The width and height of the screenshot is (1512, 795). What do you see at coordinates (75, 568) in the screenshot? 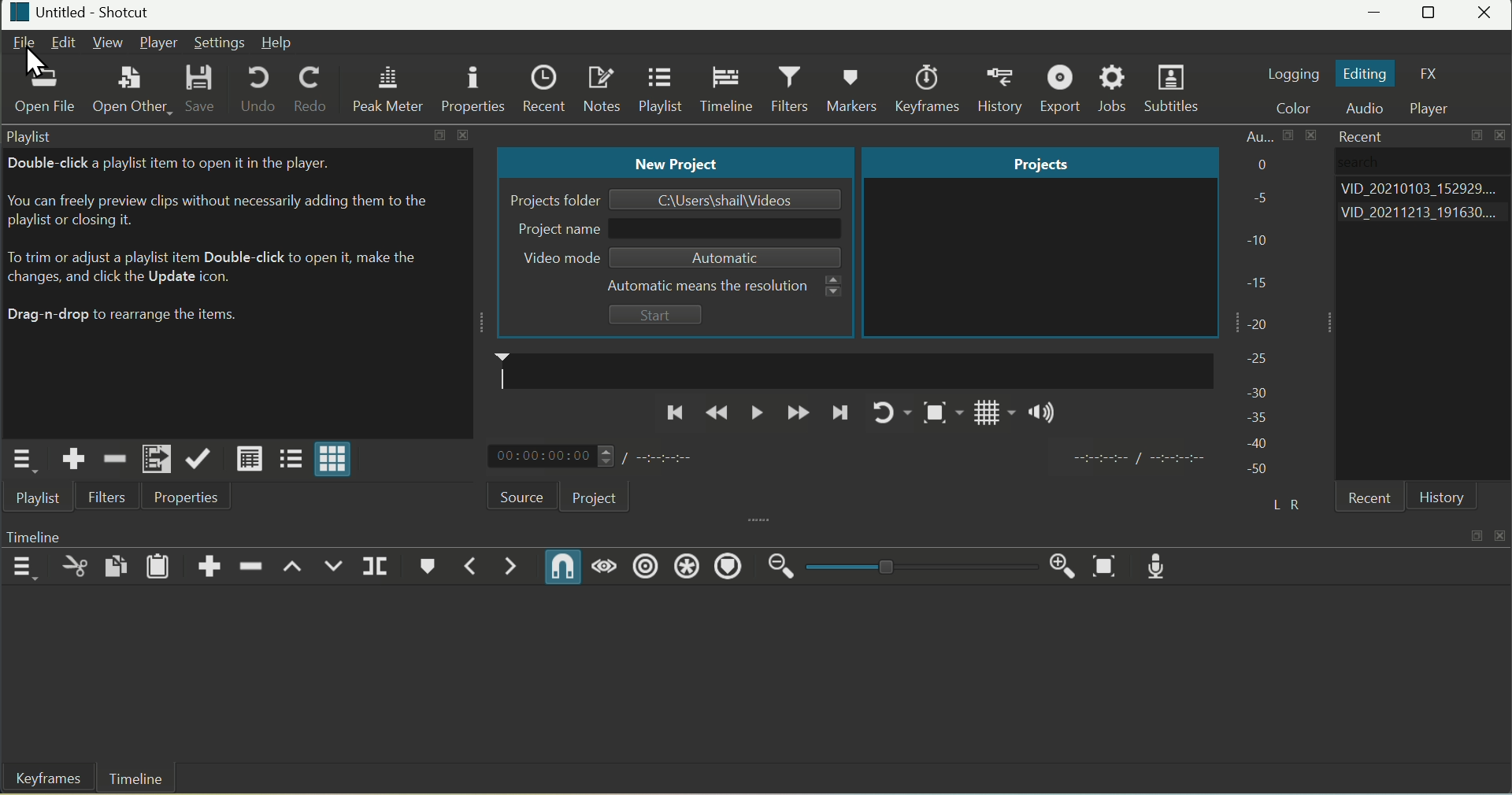
I see `Cut` at bounding box center [75, 568].